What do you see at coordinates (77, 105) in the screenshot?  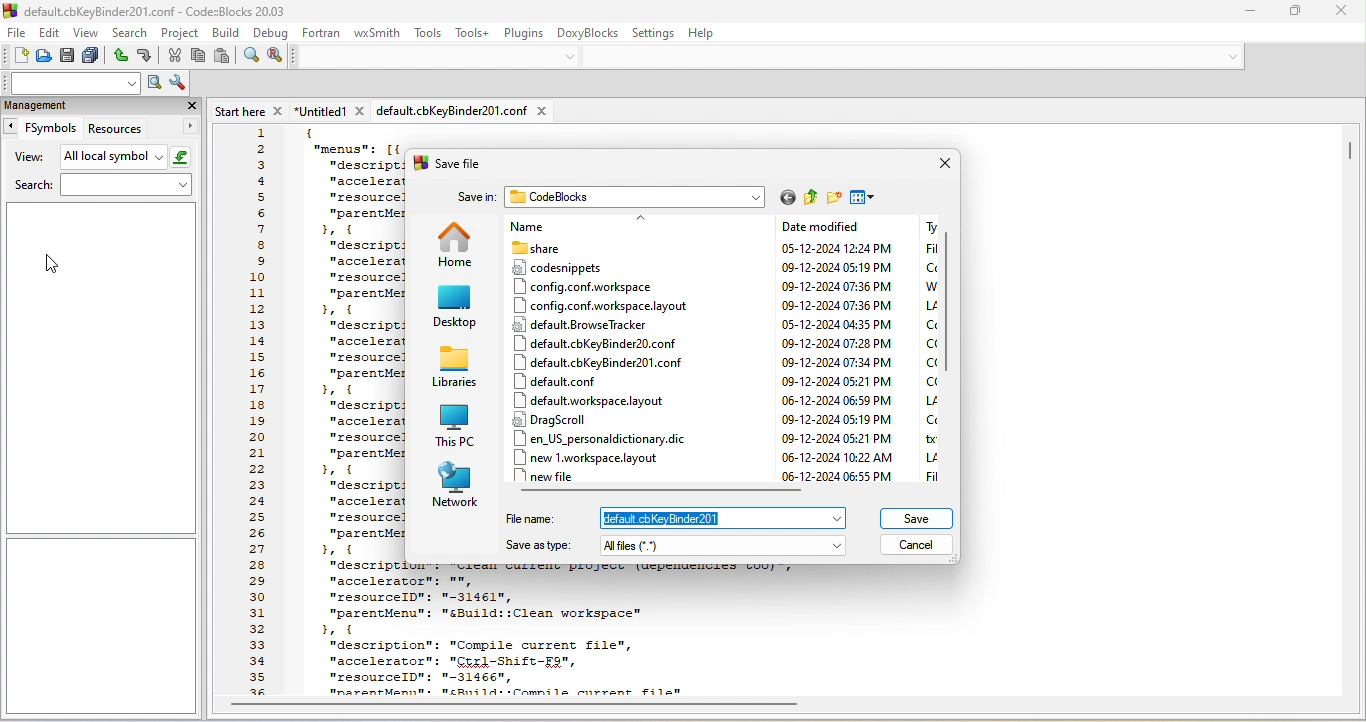 I see `management` at bounding box center [77, 105].